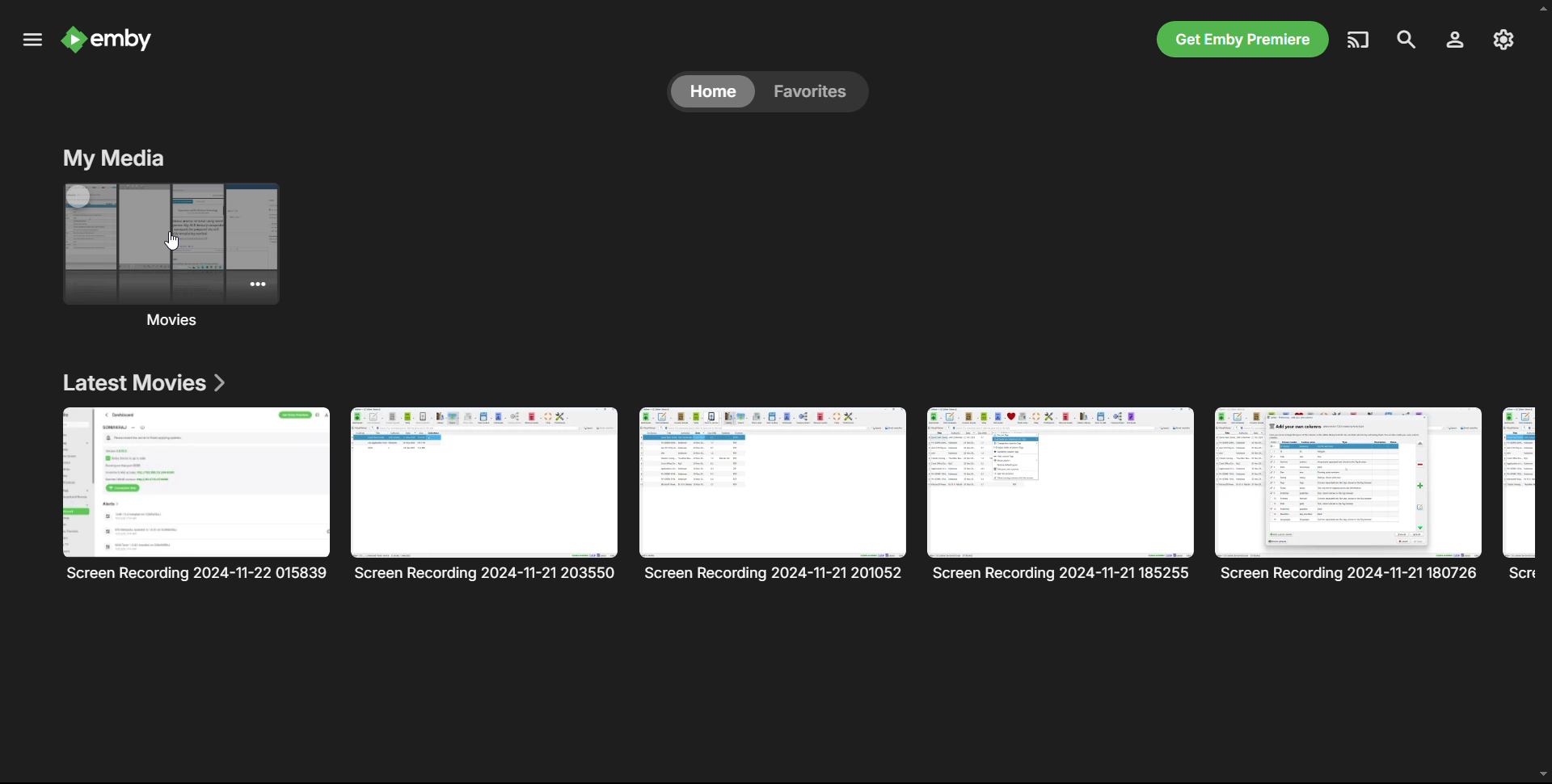 This screenshot has width=1552, height=784. Describe the element at coordinates (487, 495) in the screenshot. I see `Screen Recording 2024-11-21 203550` at that location.